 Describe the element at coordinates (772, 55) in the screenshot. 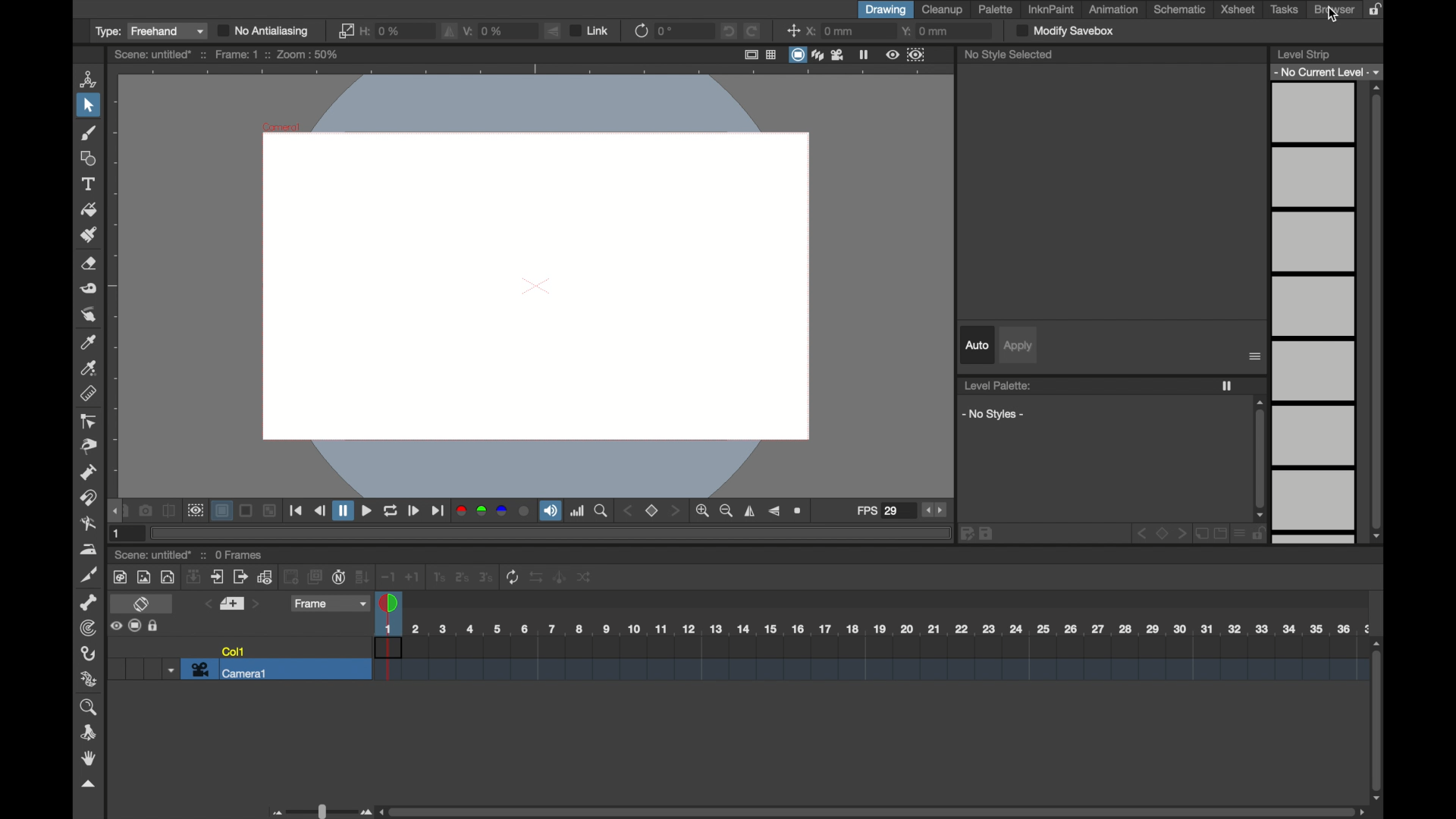

I see `table` at that location.